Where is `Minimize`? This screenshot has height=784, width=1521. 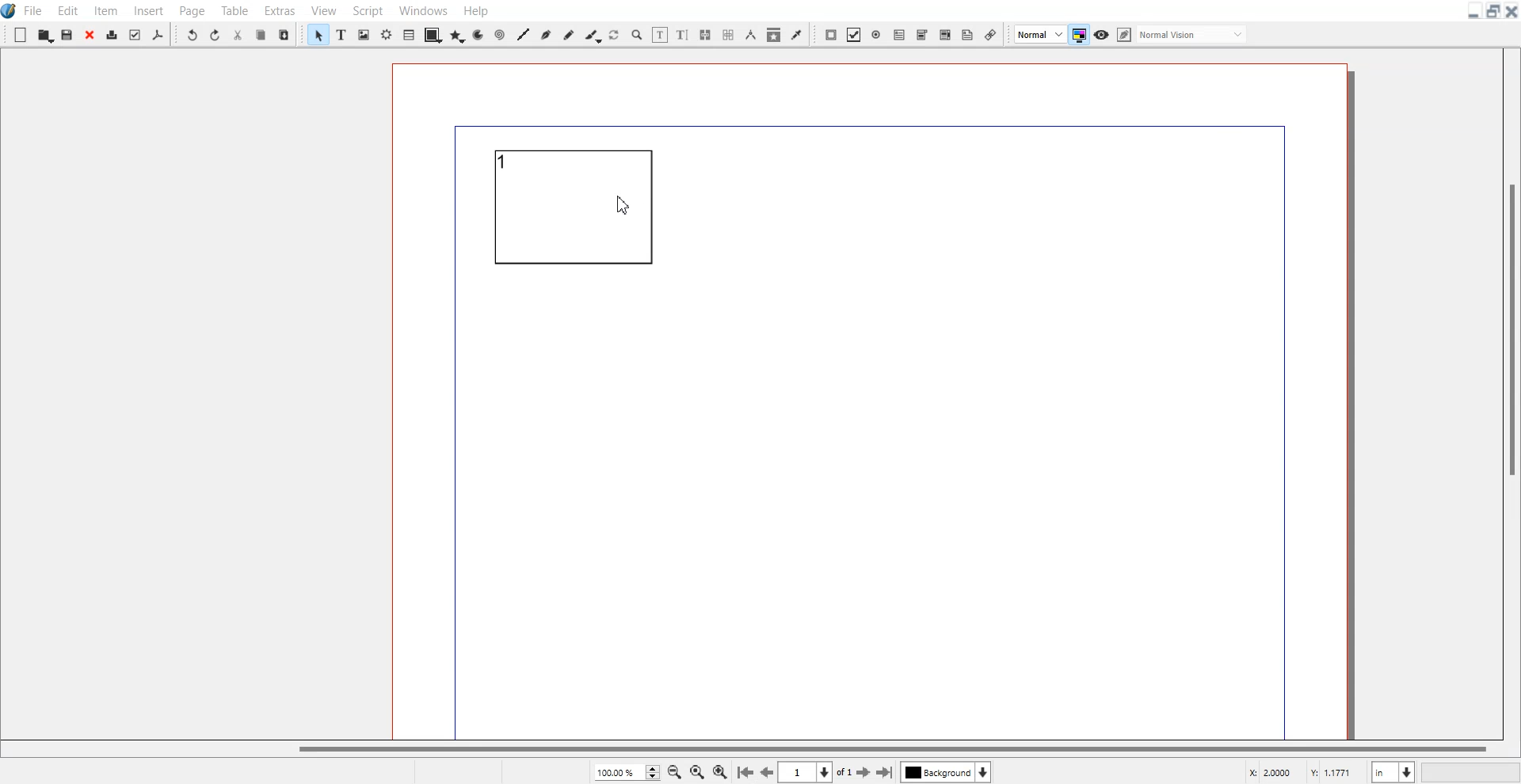 Minimize is located at coordinates (1474, 11).